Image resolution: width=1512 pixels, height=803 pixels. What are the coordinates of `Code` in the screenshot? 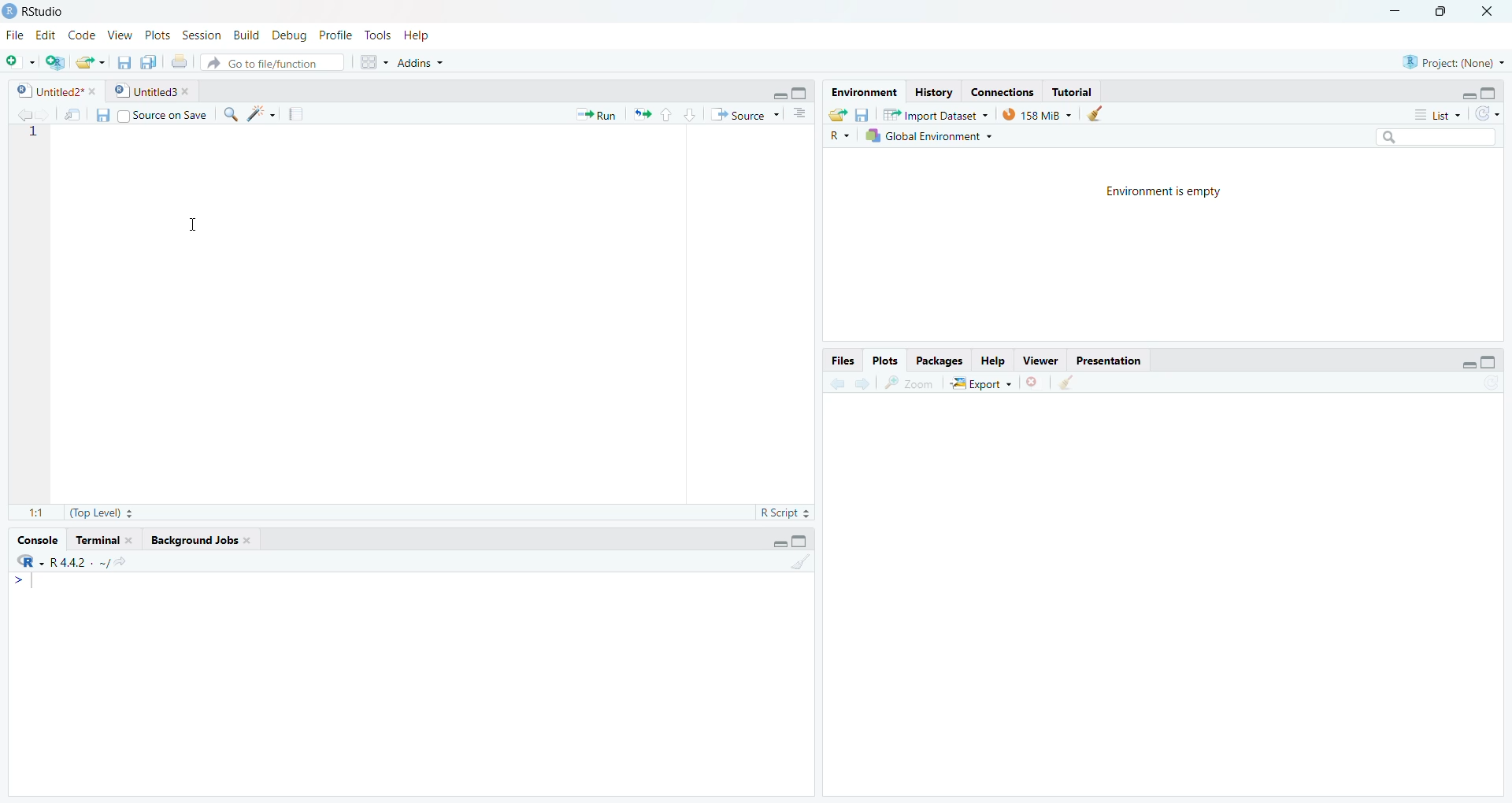 It's located at (81, 35).